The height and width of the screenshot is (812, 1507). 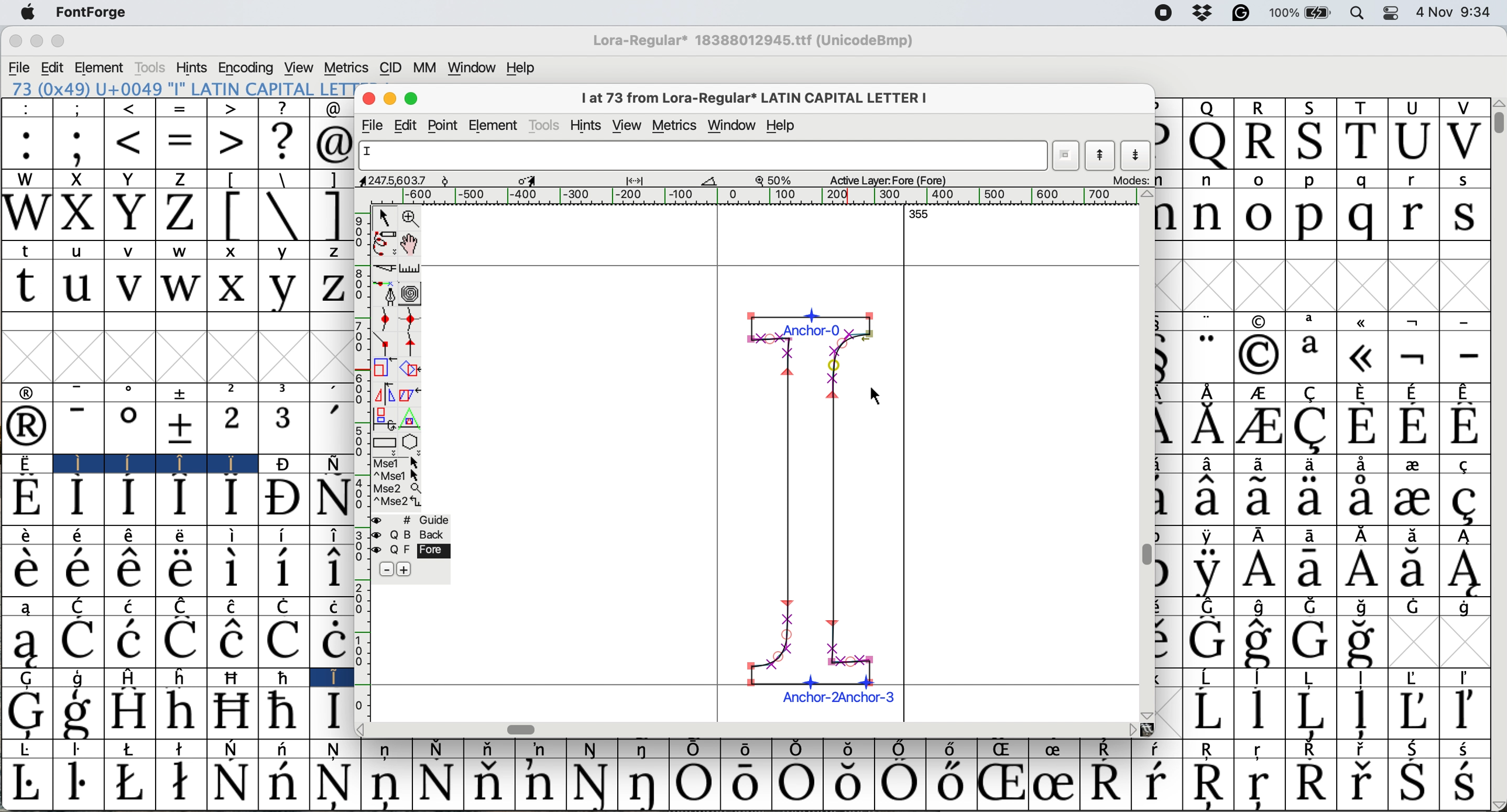 I want to click on , so click(x=1498, y=804).